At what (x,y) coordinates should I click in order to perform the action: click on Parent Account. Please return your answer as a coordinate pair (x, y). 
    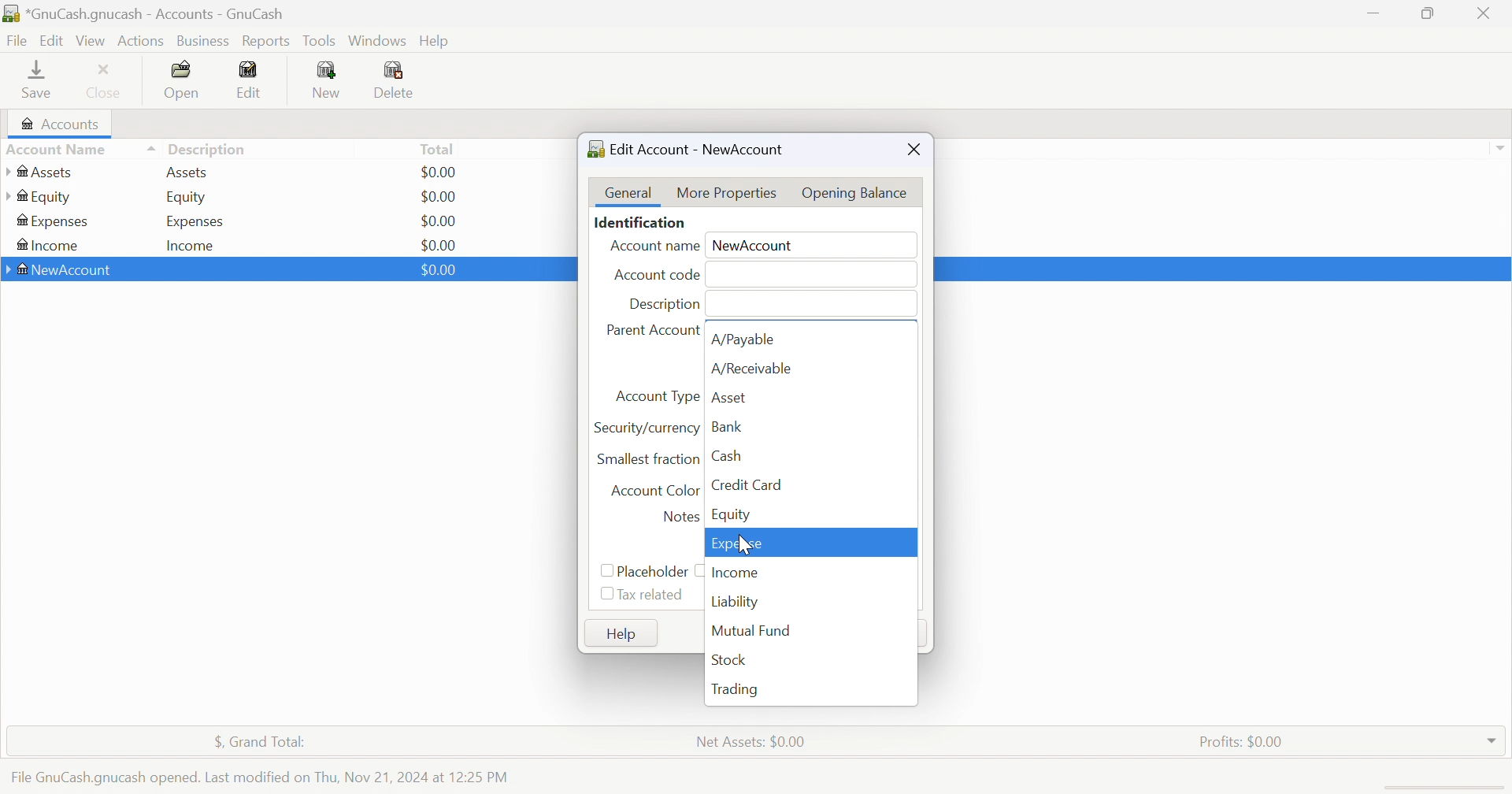
    Looking at the image, I should click on (650, 332).